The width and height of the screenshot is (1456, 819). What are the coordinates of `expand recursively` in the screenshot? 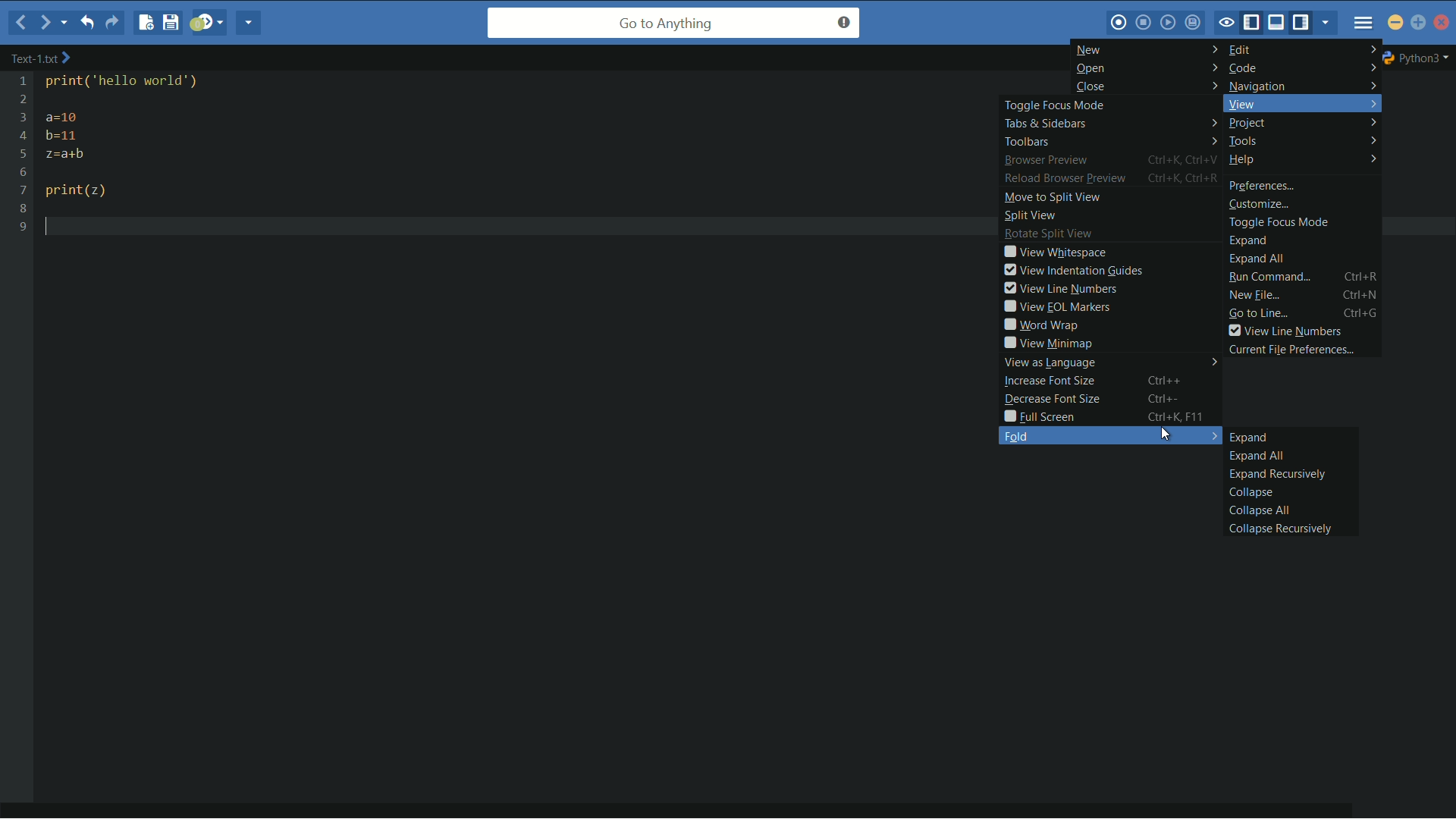 It's located at (1276, 475).